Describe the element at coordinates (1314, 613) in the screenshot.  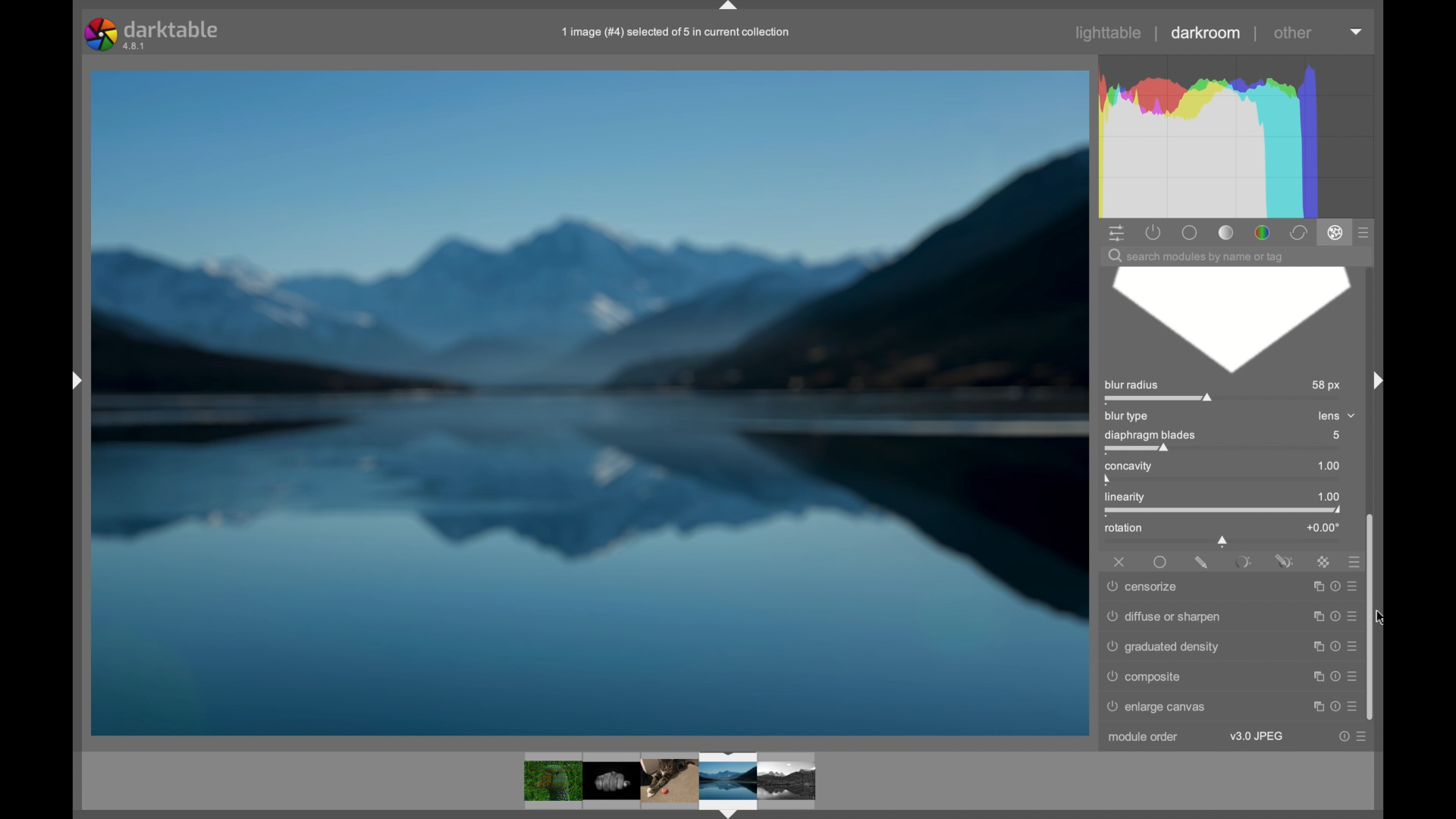
I see `maximize` at that location.